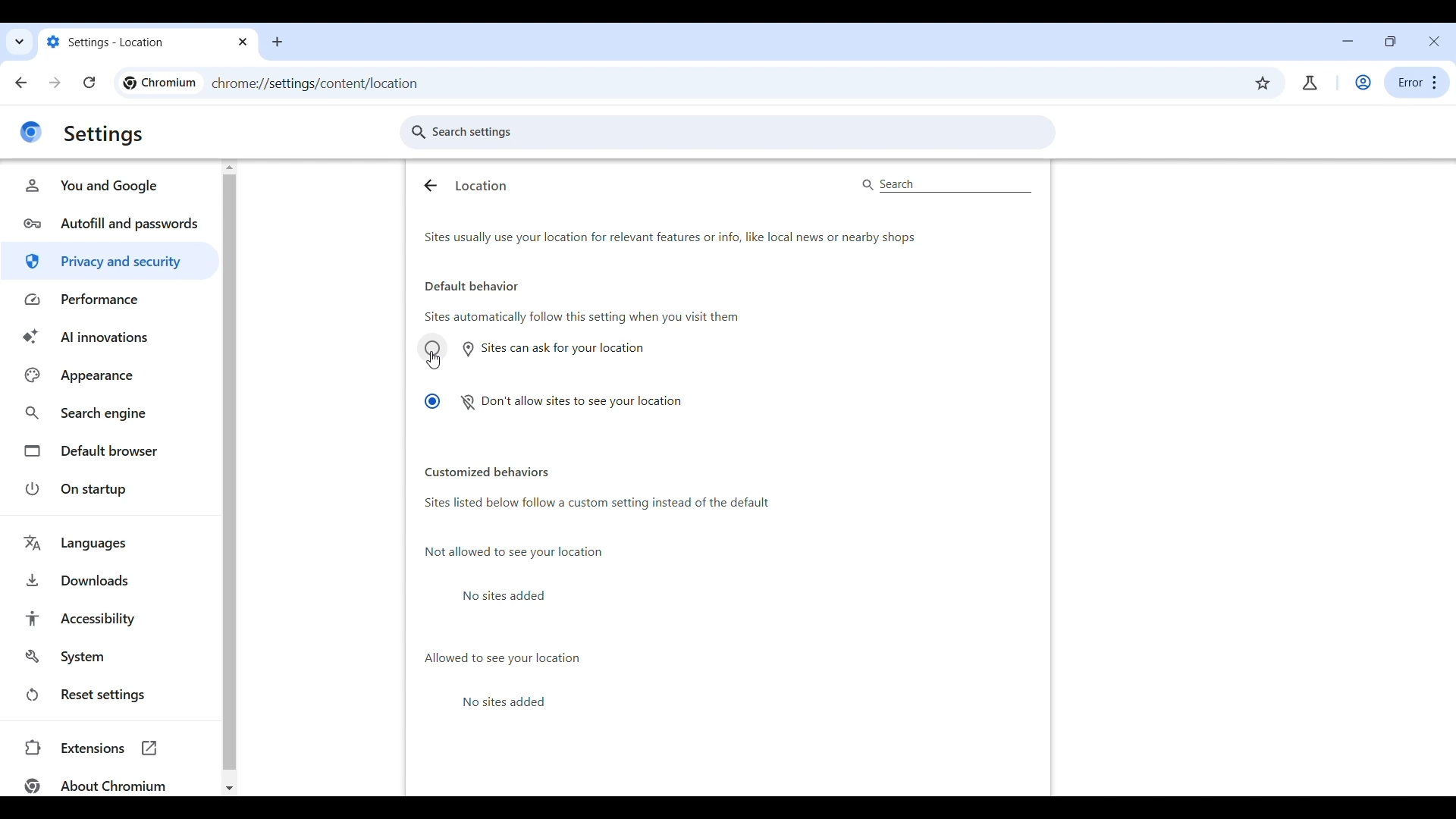  I want to click on sites can ask for your location, so click(533, 347).